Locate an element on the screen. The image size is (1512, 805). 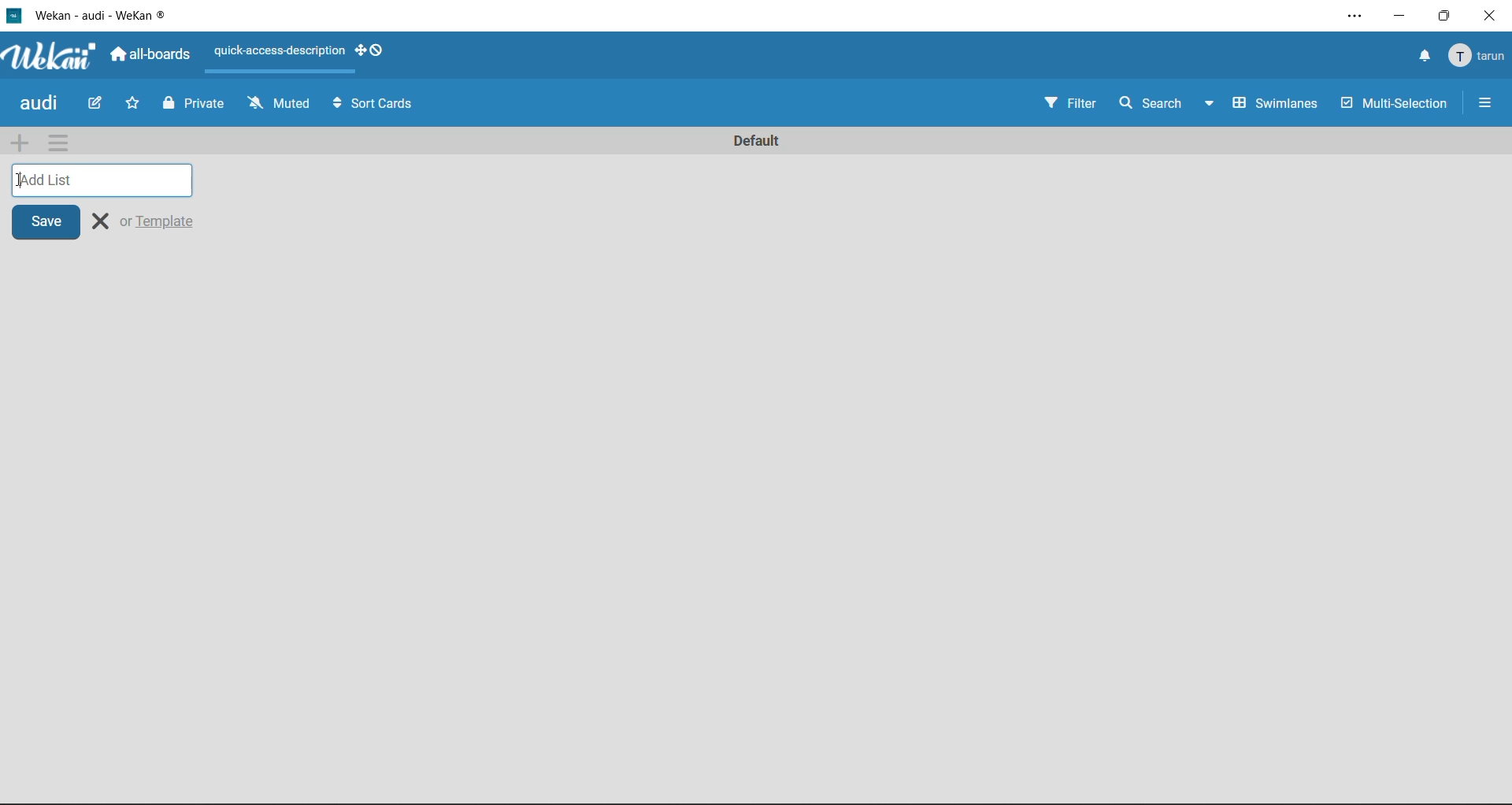
or template is located at coordinates (164, 221).